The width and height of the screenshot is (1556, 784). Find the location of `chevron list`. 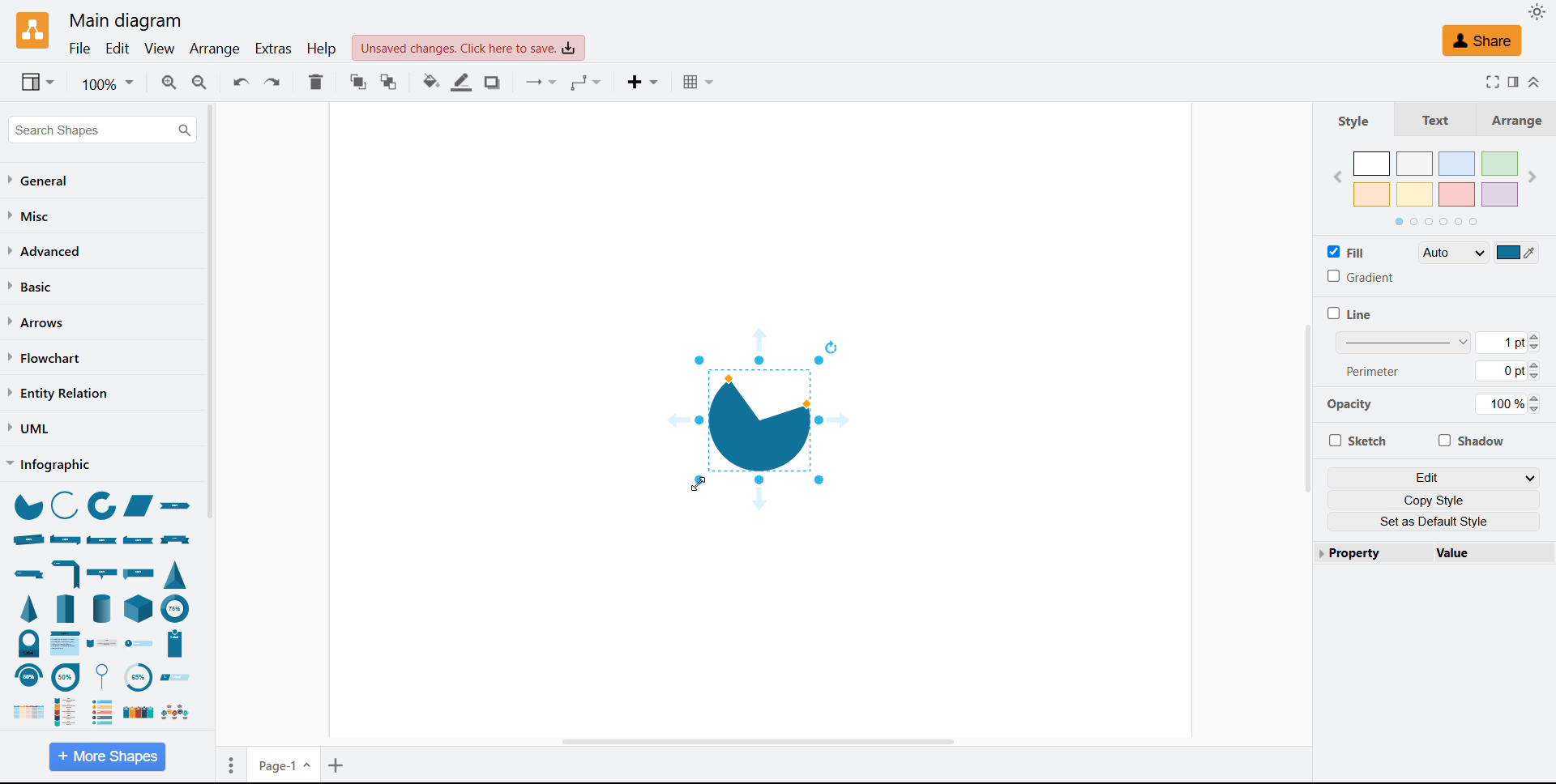

chevron list is located at coordinates (66, 643).